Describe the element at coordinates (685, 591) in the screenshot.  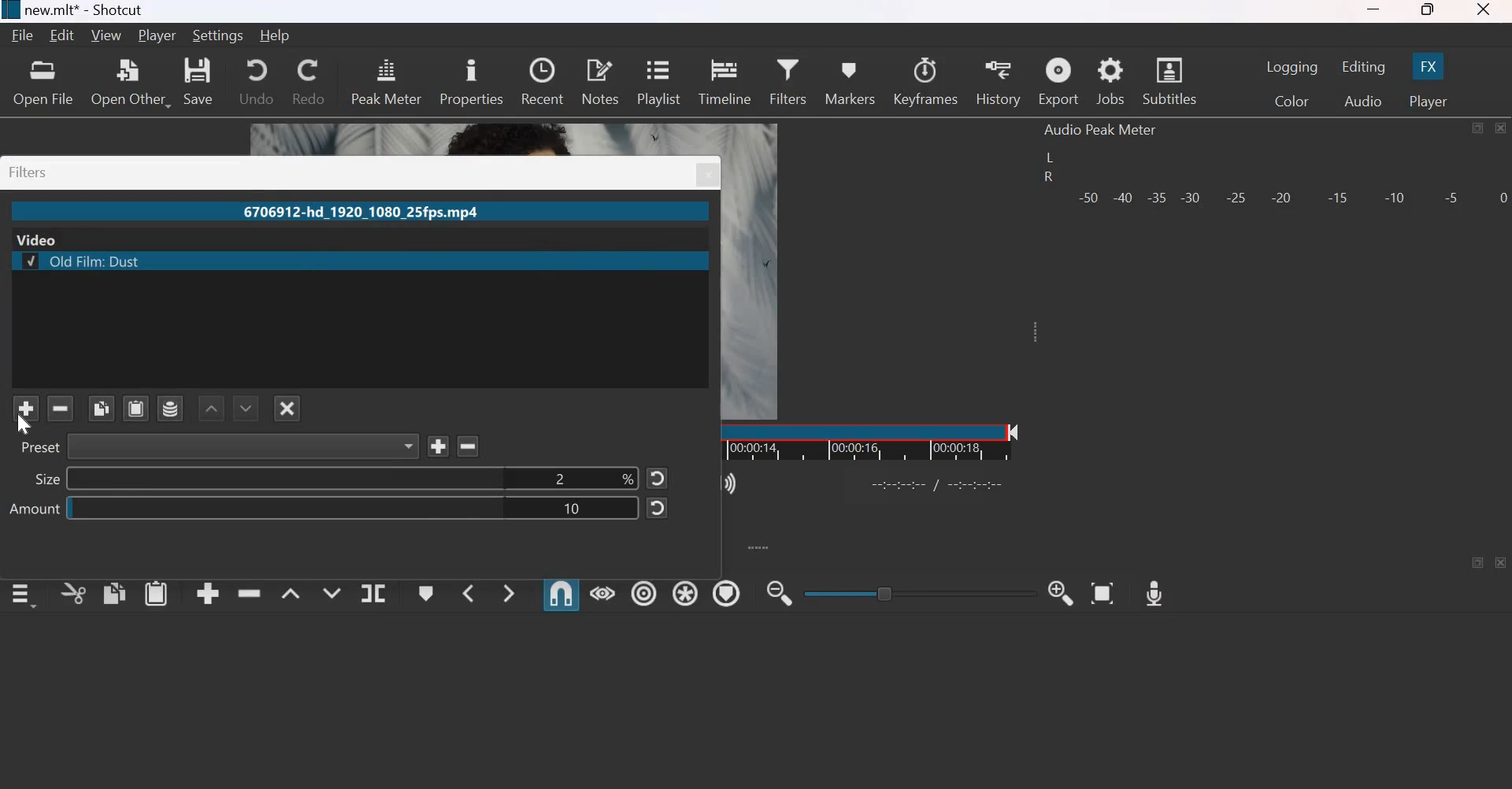
I see `Ripple all tracks` at that location.